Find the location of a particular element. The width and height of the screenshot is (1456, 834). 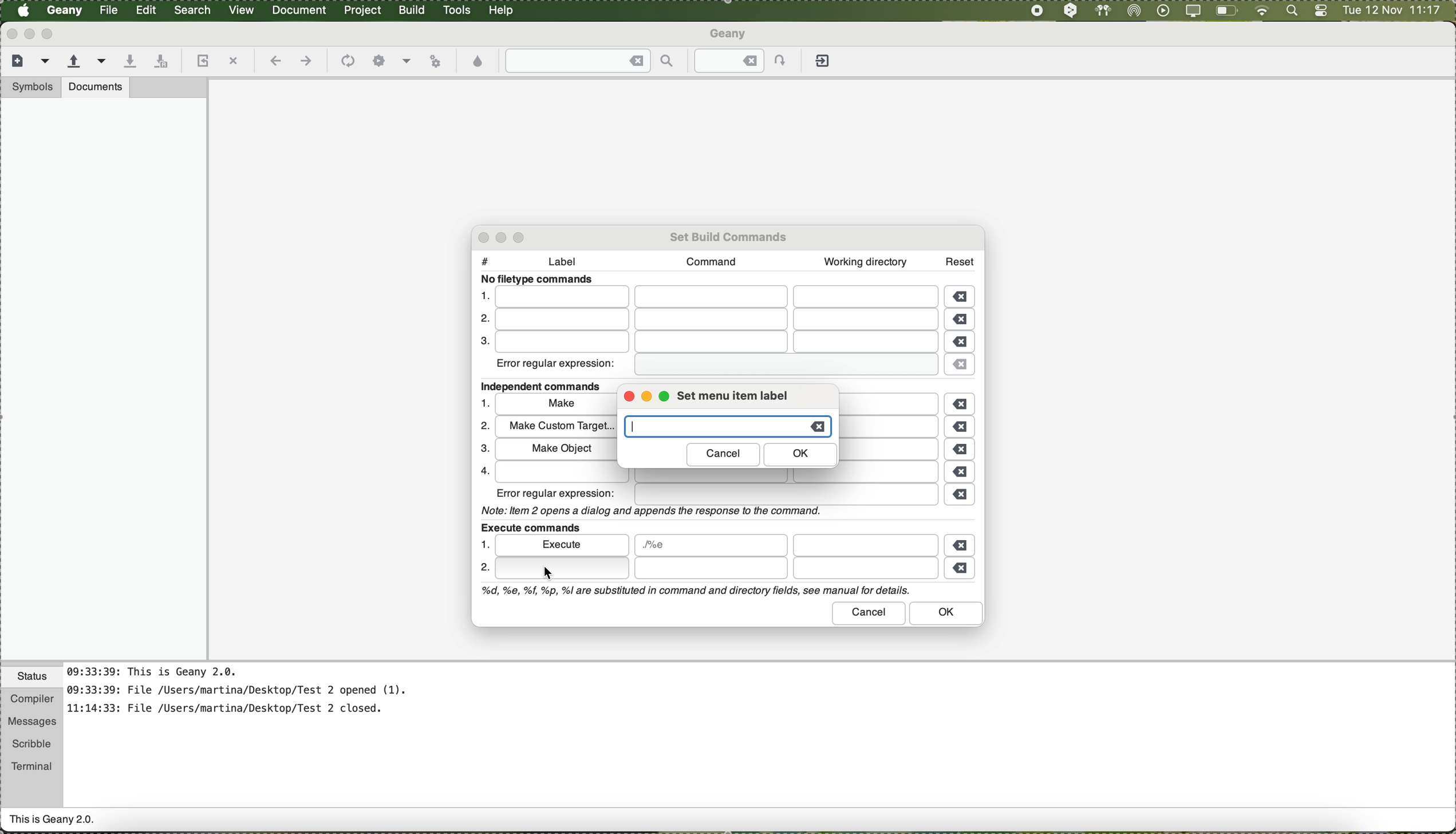

independent commands is located at coordinates (546, 387).